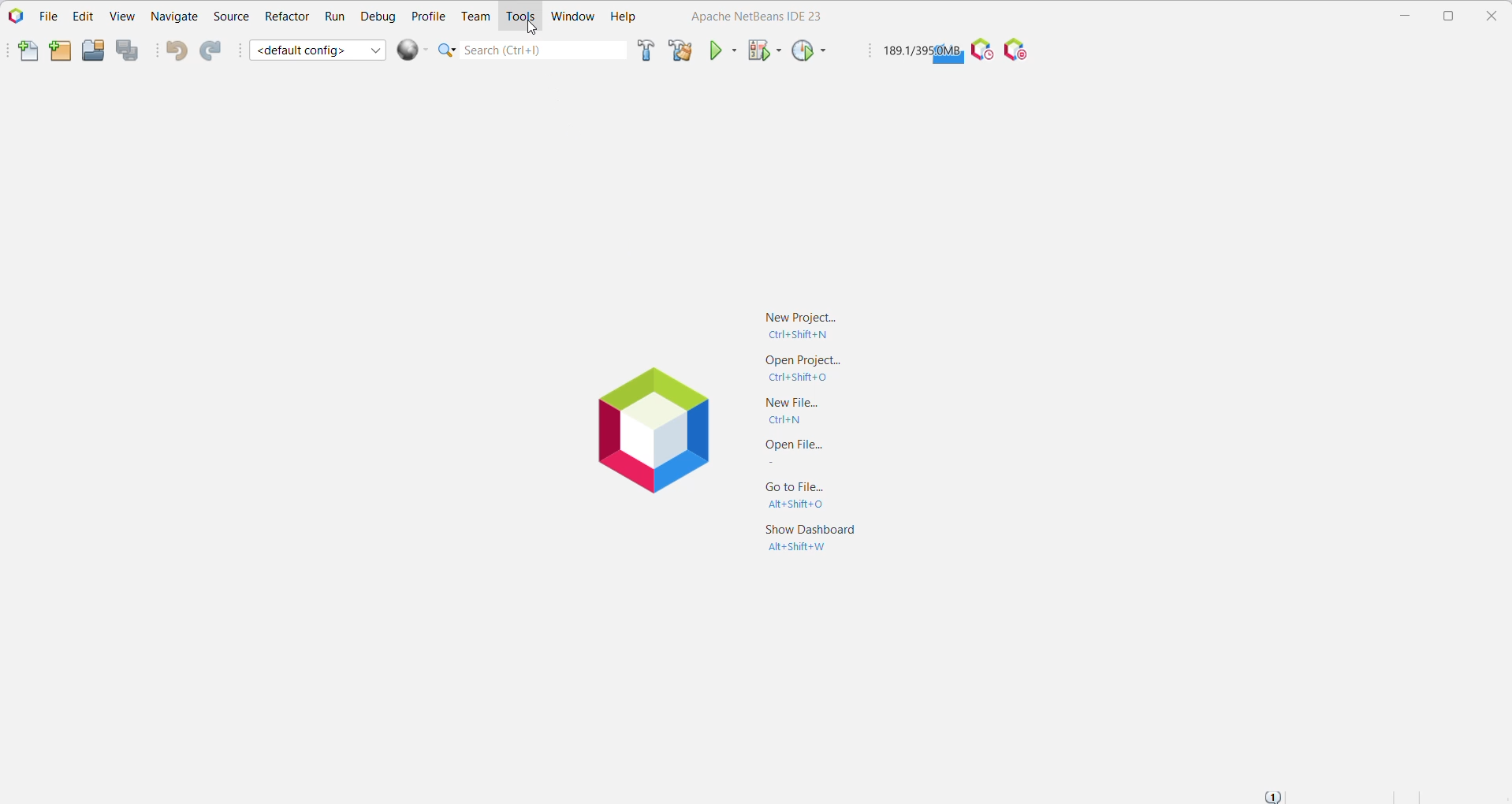 Image resolution: width=1512 pixels, height=804 pixels. What do you see at coordinates (680, 50) in the screenshot?
I see `Clean and Build Project` at bounding box center [680, 50].